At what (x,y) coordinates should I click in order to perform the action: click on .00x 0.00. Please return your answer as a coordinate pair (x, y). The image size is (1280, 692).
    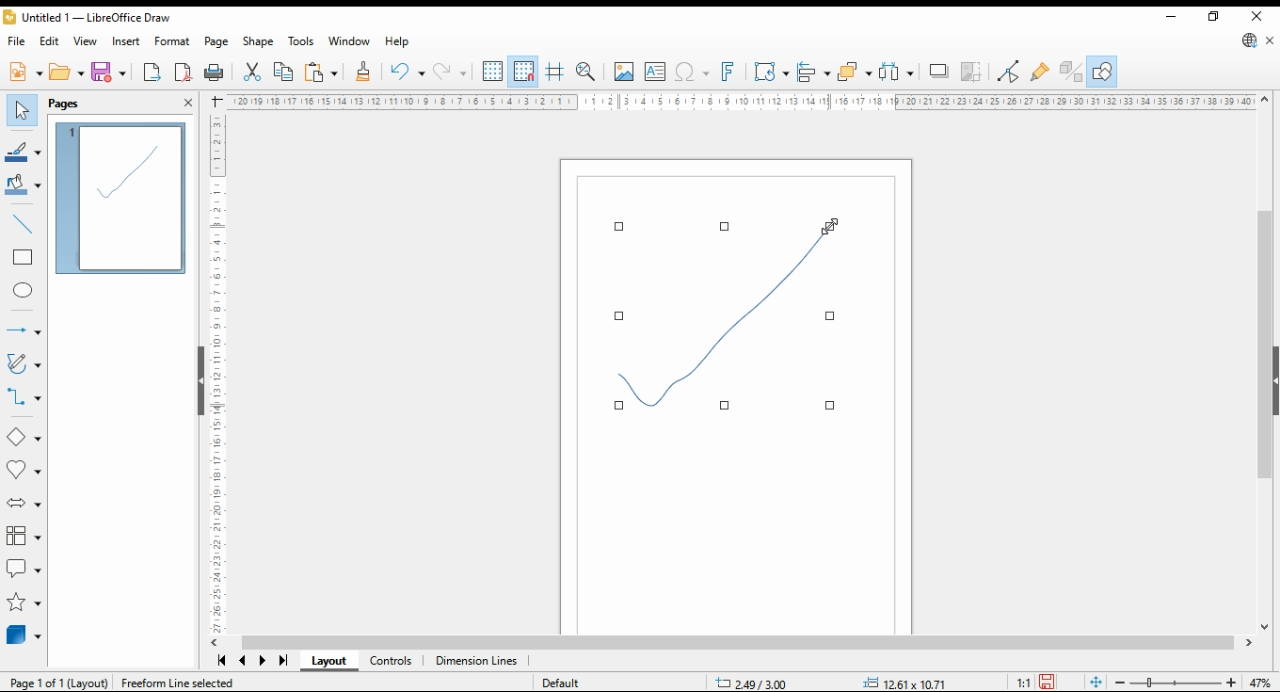
    Looking at the image, I should click on (899, 682).